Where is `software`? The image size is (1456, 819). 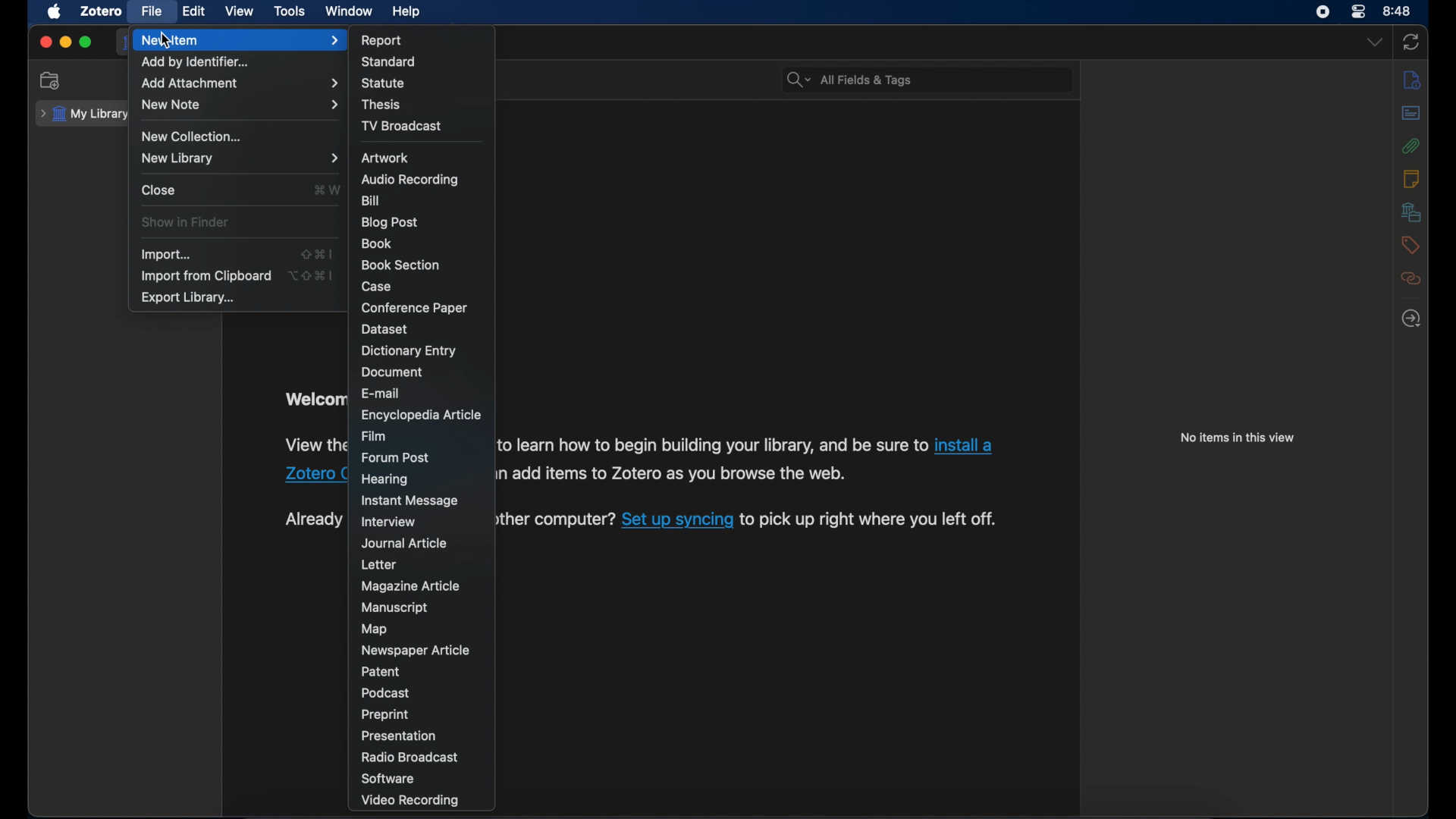 software is located at coordinates (390, 778).